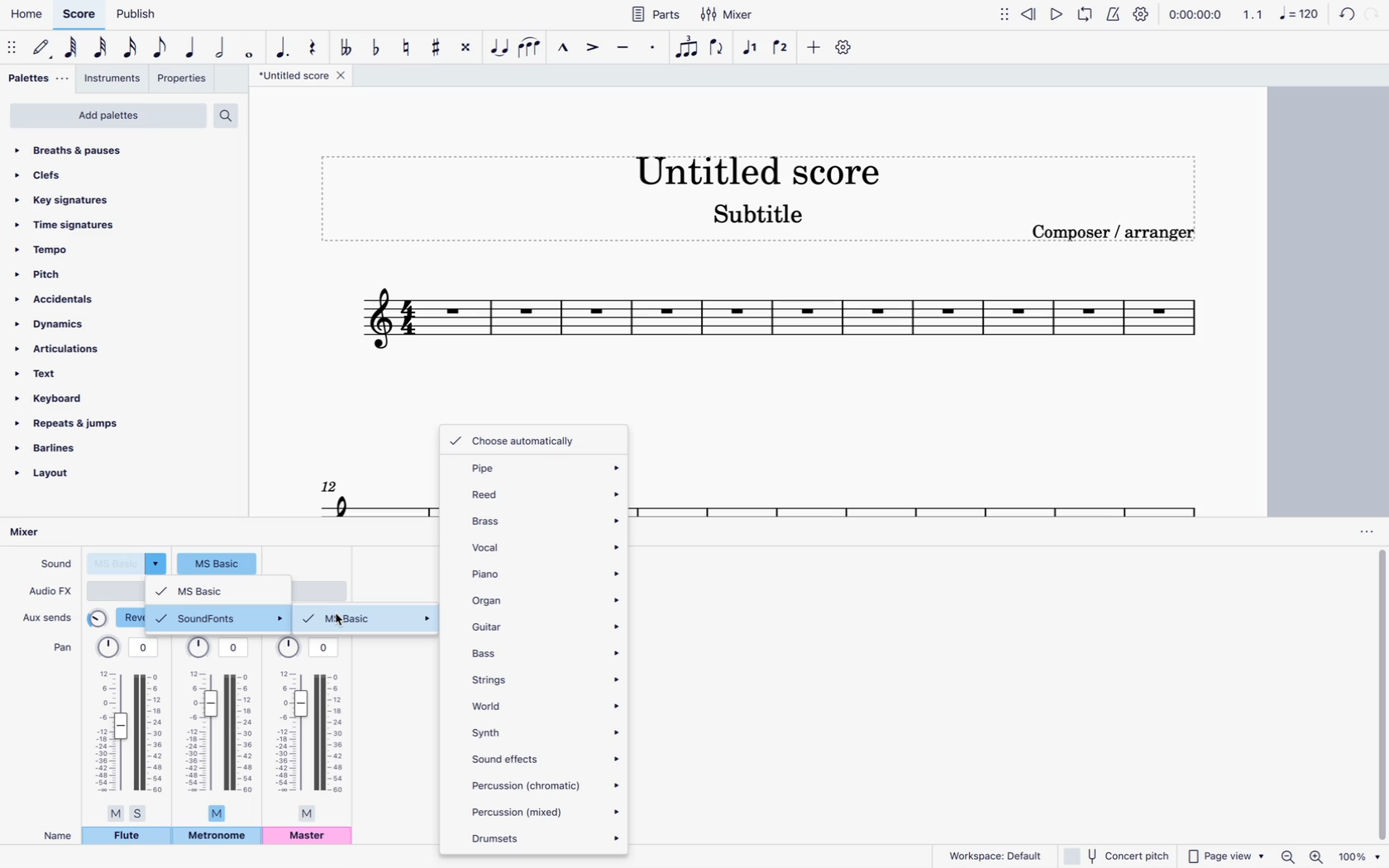 The image size is (1389, 868). What do you see at coordinates (77, 249) in the screenshot?
I see `tempo` at bounding box center [77, 249].